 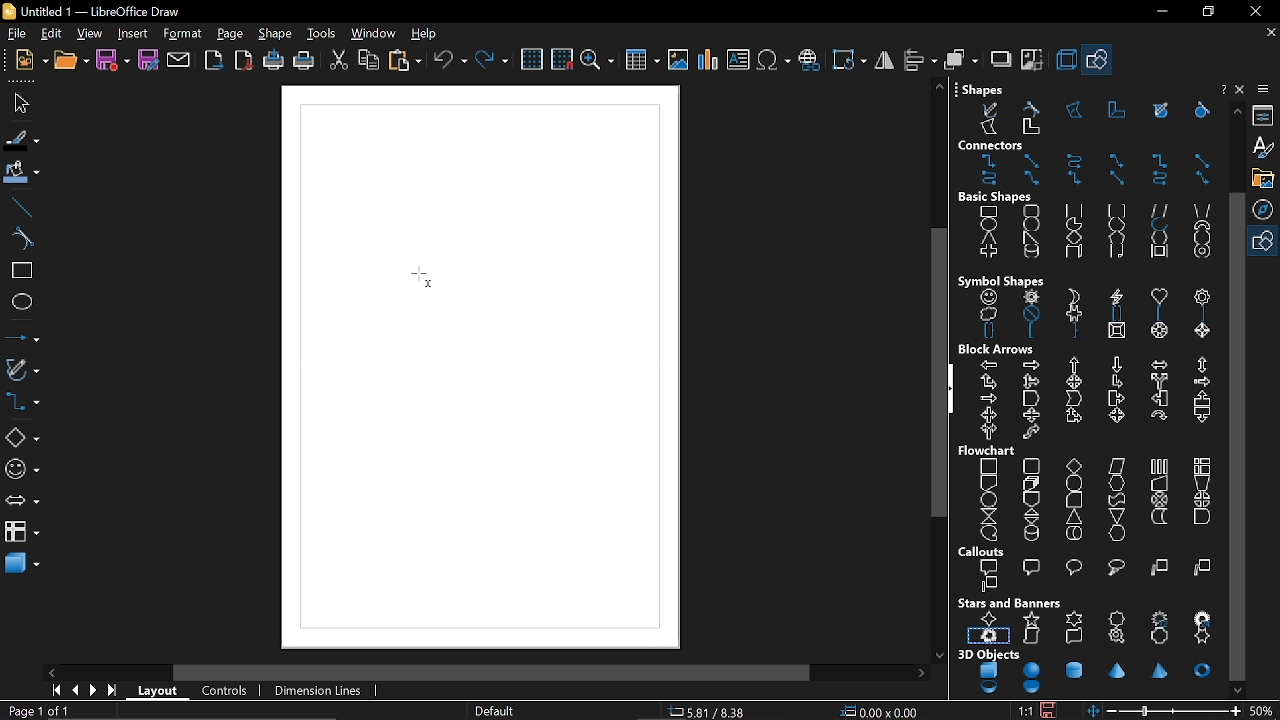 What do you see at coordinates (274, 60) in the screenshot?
I see `print directly` at bounding box center [274, 60].